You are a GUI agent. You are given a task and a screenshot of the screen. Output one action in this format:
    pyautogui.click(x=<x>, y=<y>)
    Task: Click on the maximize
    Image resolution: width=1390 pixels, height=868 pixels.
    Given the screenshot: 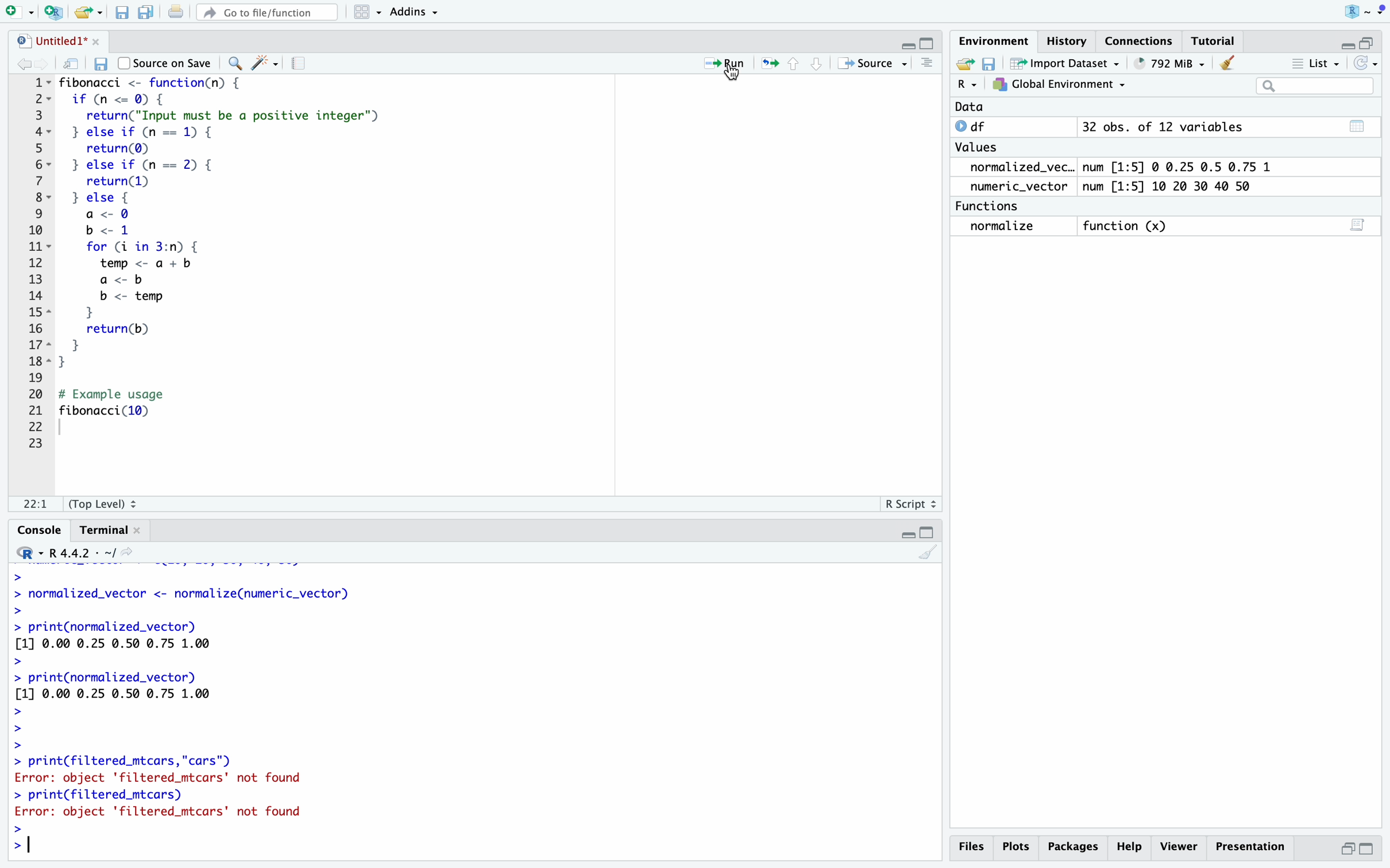 What is the action you would take?
    pyautogui.click(x=1374, y=850)
    